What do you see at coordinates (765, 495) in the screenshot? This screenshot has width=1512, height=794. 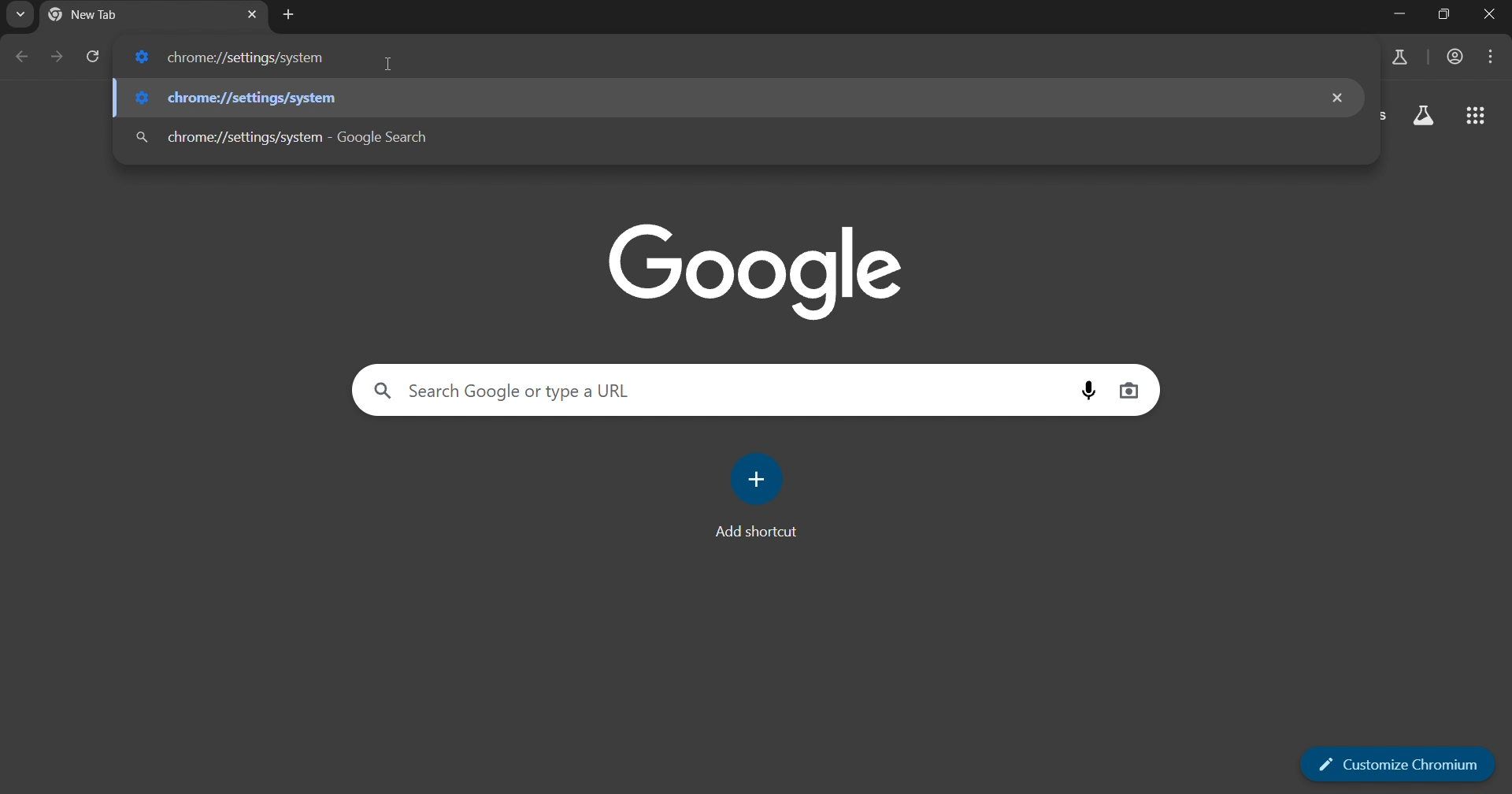 I see `add shortcut` at bounding box center [765, 495].